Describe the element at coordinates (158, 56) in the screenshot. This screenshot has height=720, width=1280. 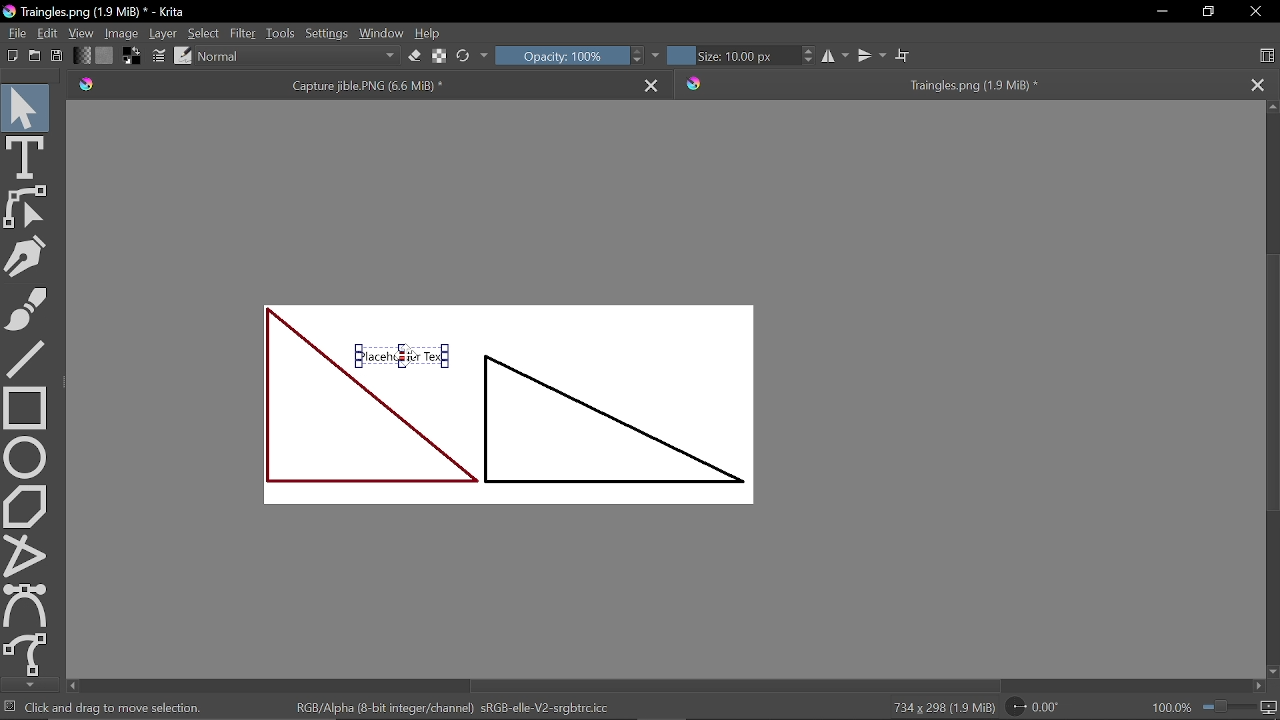
I see `Edit brush settings` at that location.